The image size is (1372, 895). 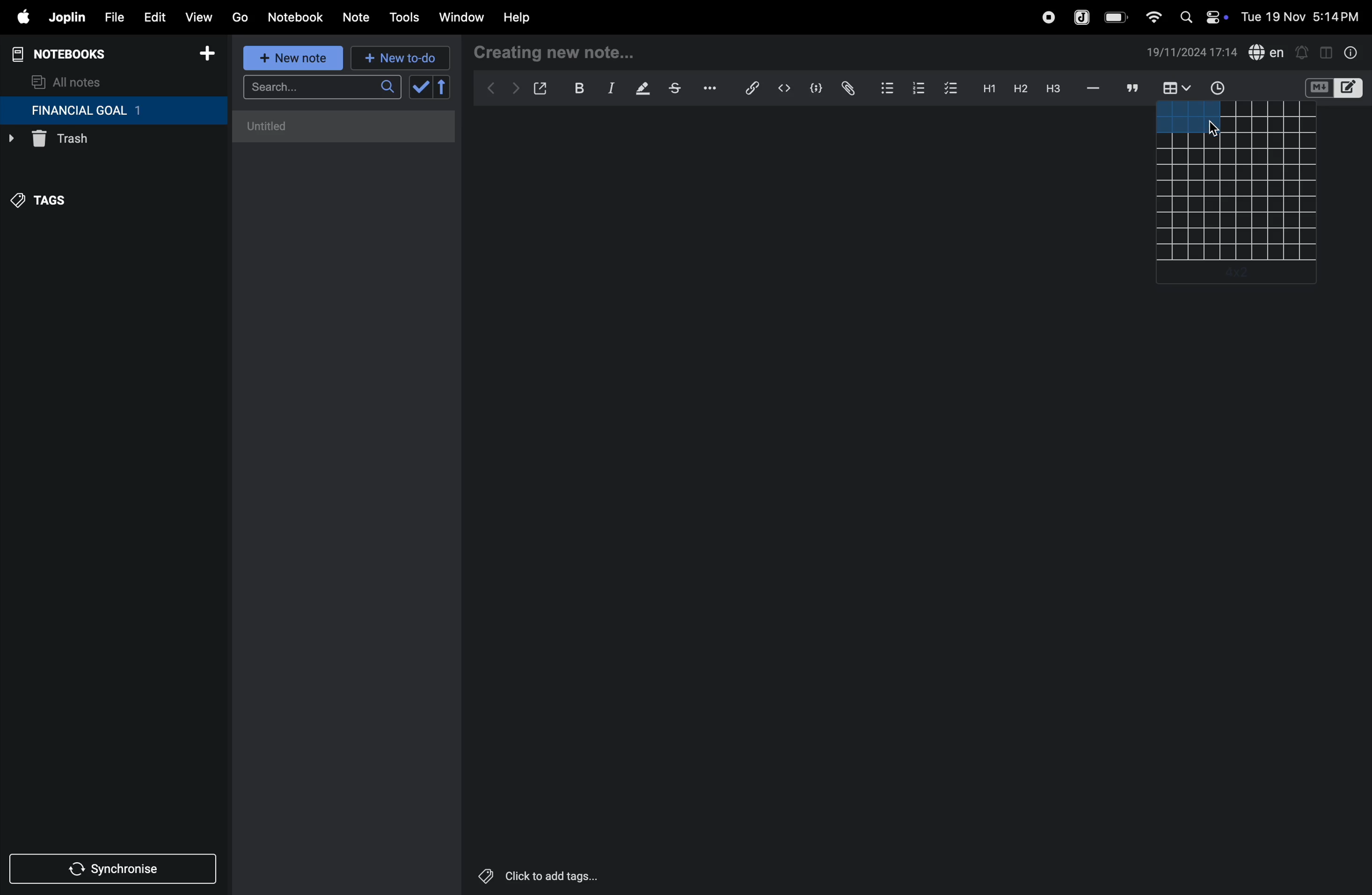 I want to click on note, so click(x=358, y=18).